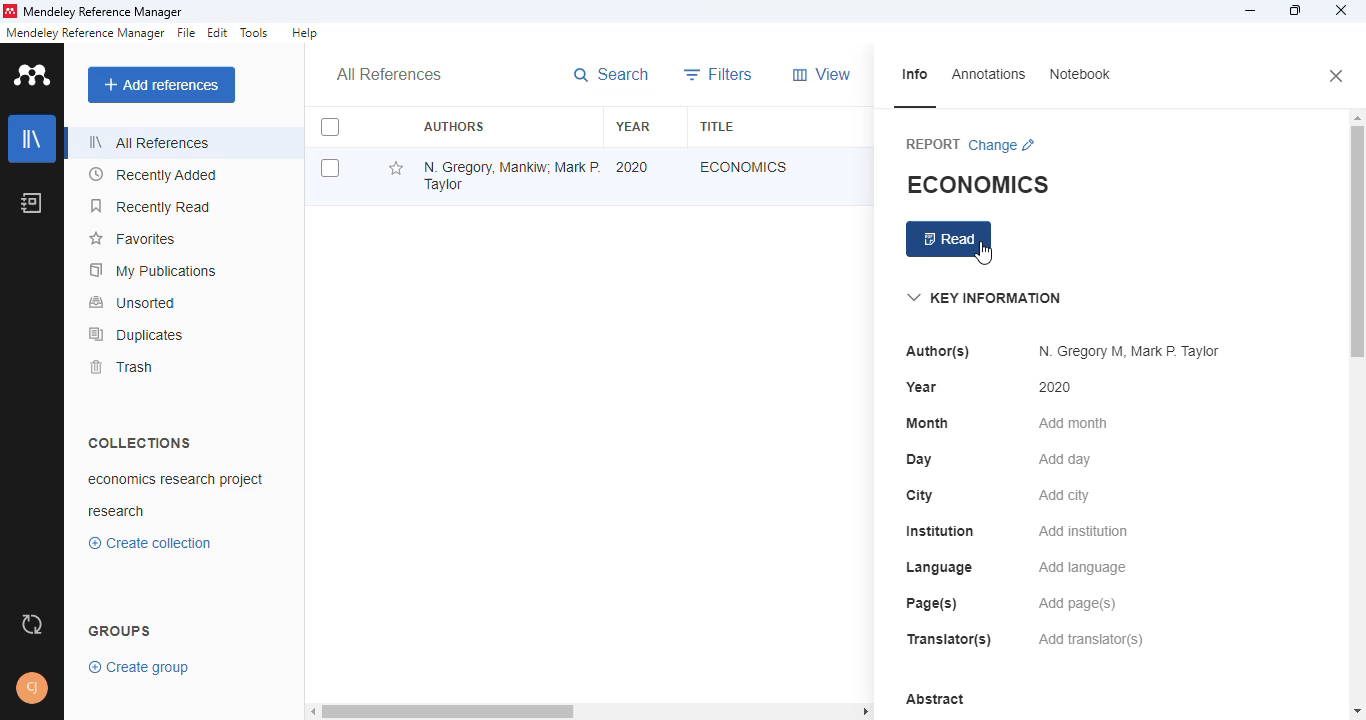 This screenshot has height=720, width=1366. I want to click on year, so click(922, 387).